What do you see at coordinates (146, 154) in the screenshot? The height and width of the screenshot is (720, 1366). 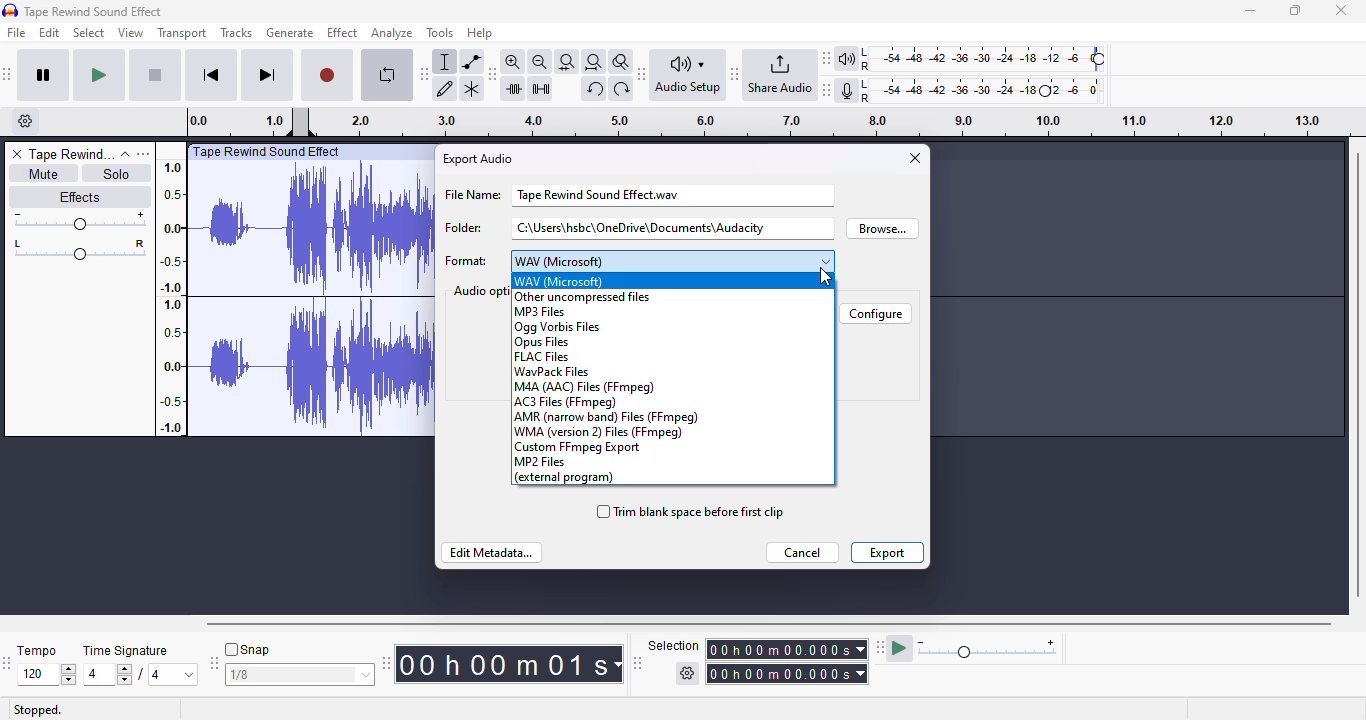 I see `open menu` at bounding box center [146, 154].